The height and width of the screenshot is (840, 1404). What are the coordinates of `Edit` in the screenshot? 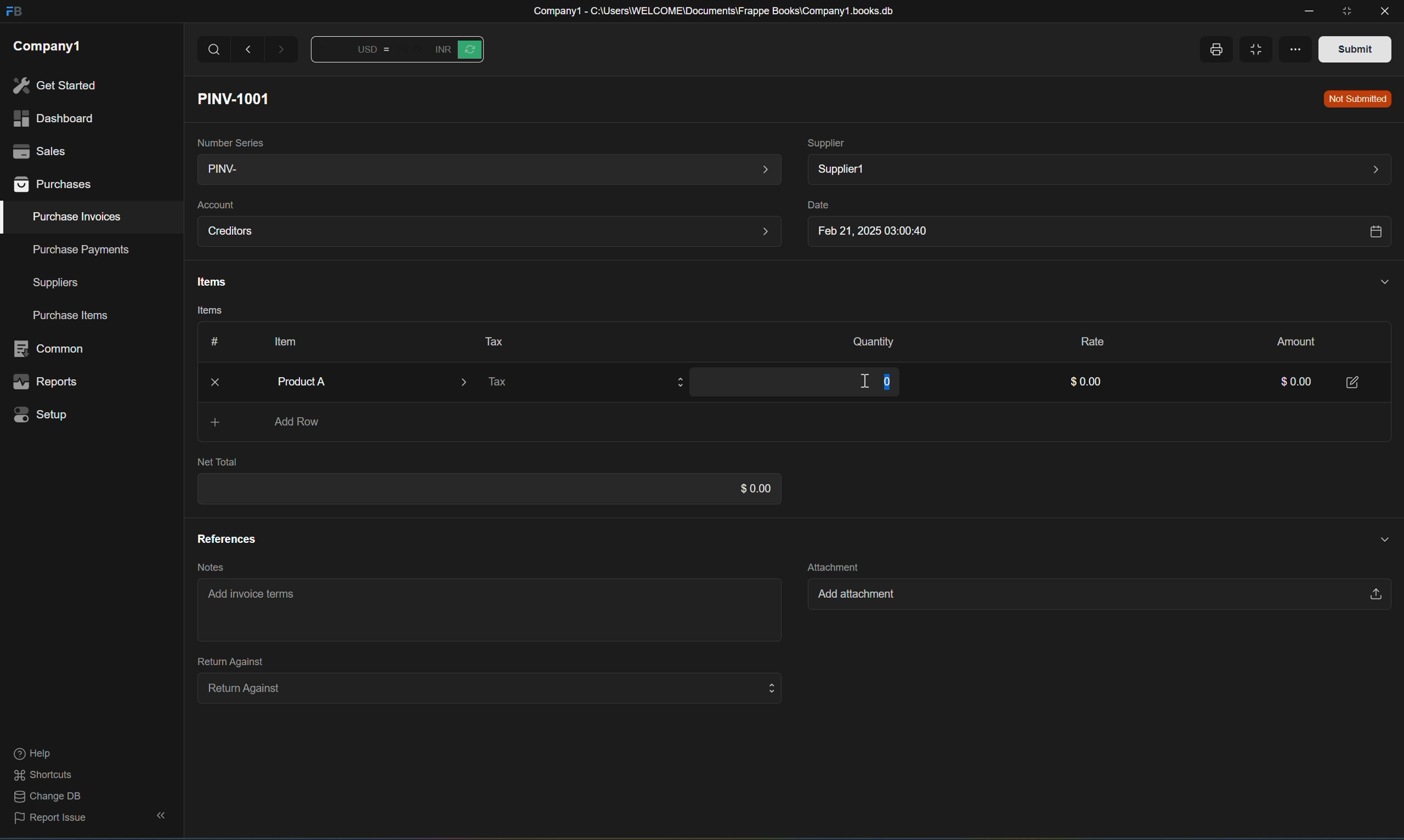 It's located at (1354, 381).